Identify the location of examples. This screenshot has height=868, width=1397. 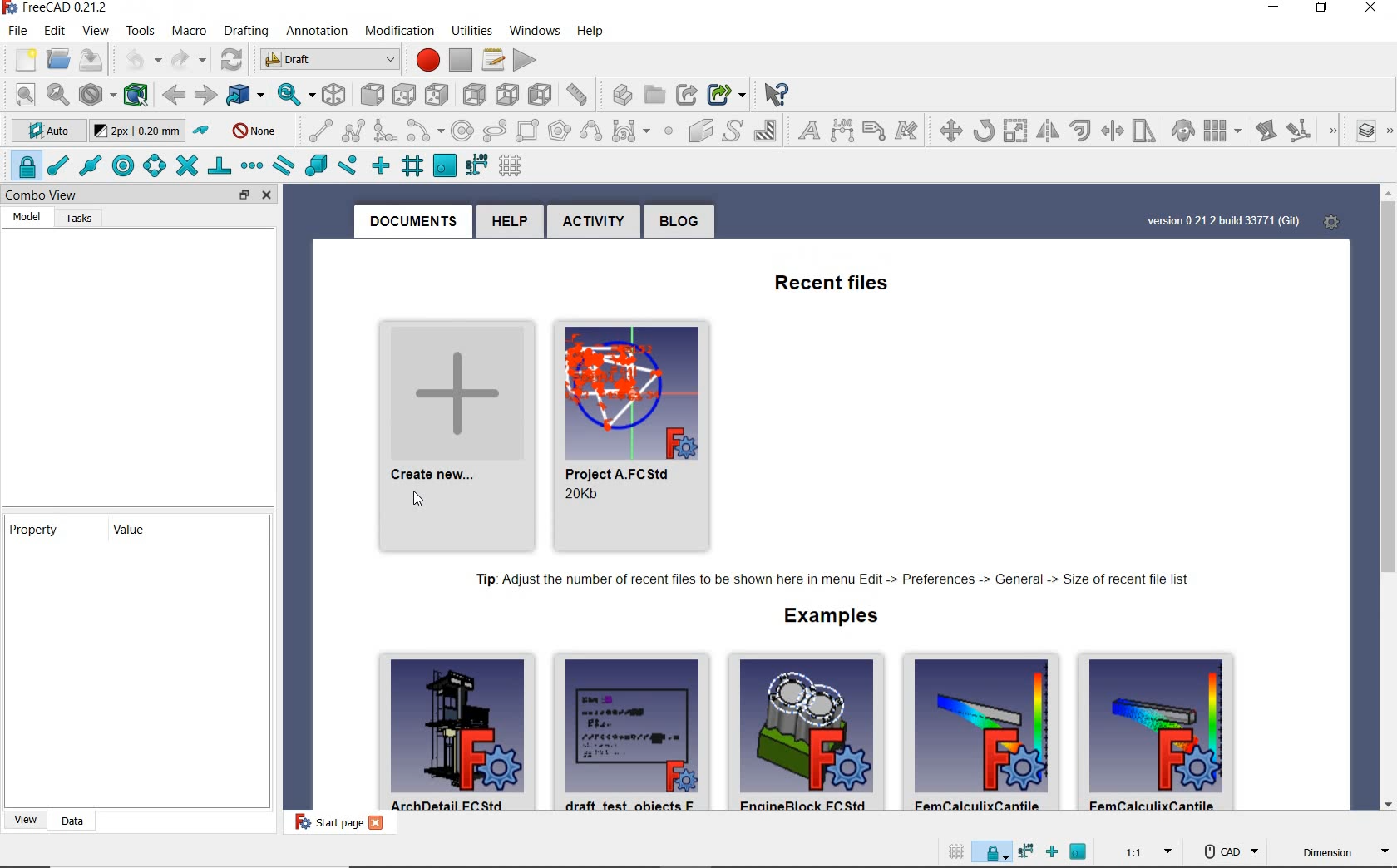
(847, 617).